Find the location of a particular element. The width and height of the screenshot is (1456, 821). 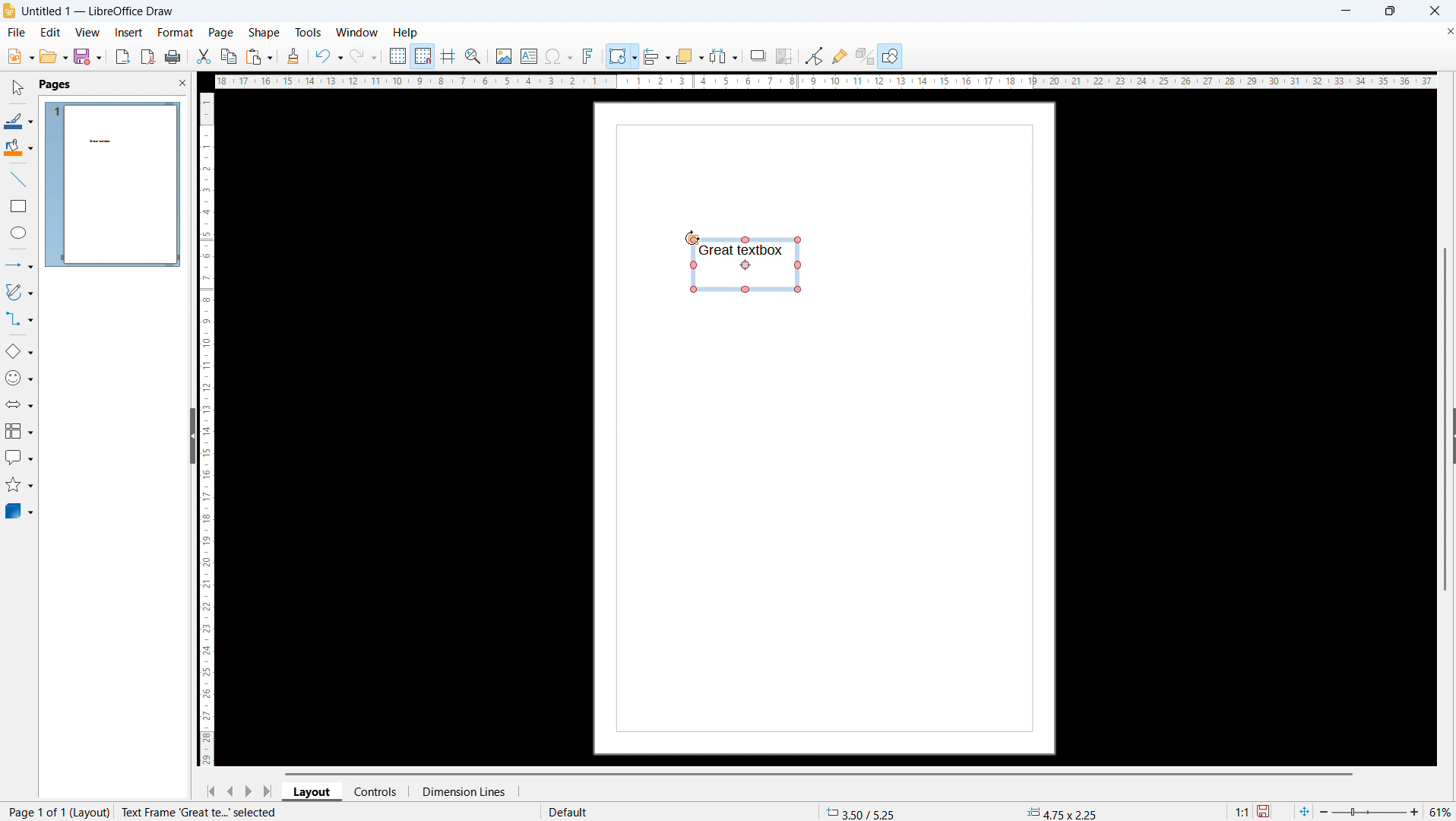

open is located at coordinates (52, 57).